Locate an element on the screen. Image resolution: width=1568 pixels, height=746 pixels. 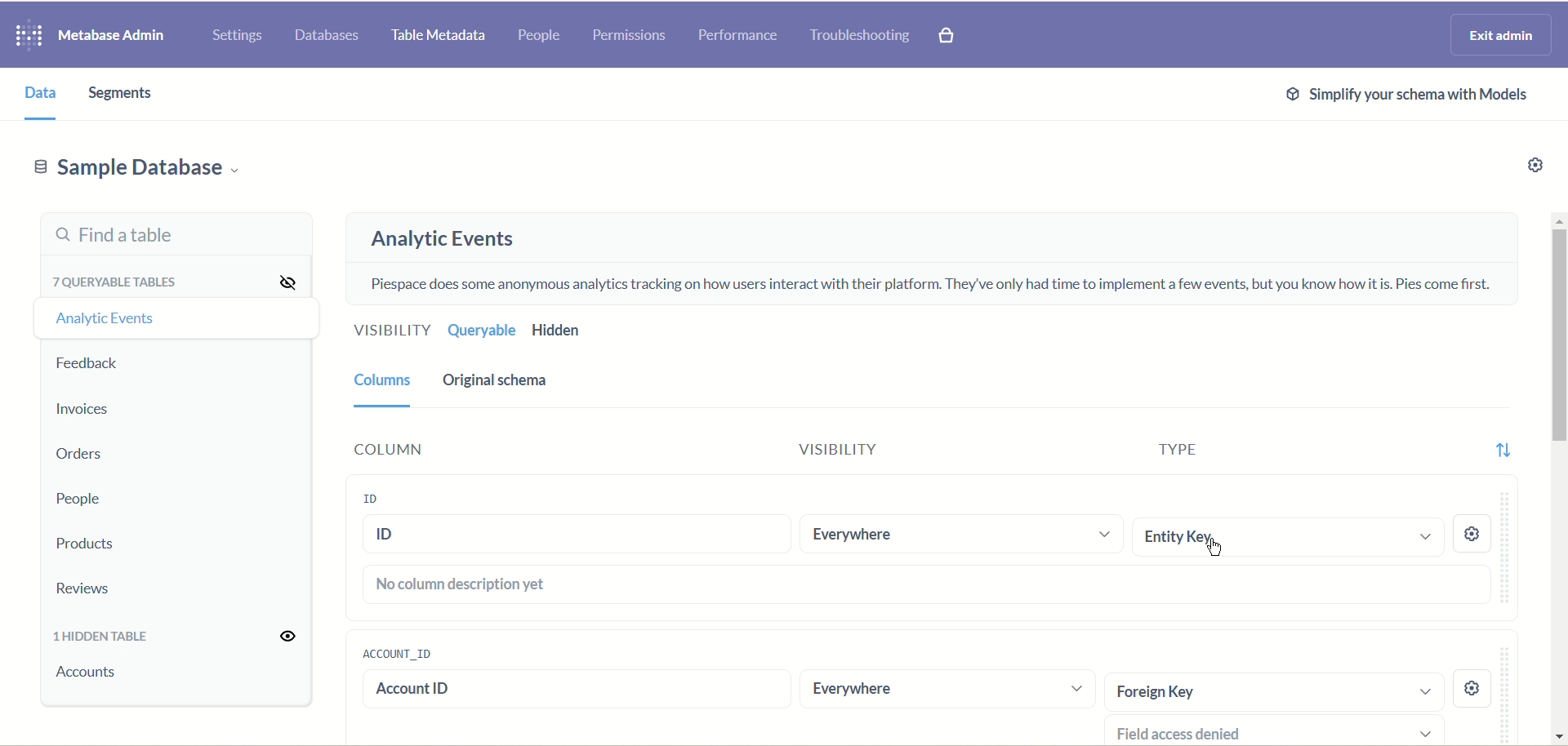
permissions is located at coordinates (630, 36).